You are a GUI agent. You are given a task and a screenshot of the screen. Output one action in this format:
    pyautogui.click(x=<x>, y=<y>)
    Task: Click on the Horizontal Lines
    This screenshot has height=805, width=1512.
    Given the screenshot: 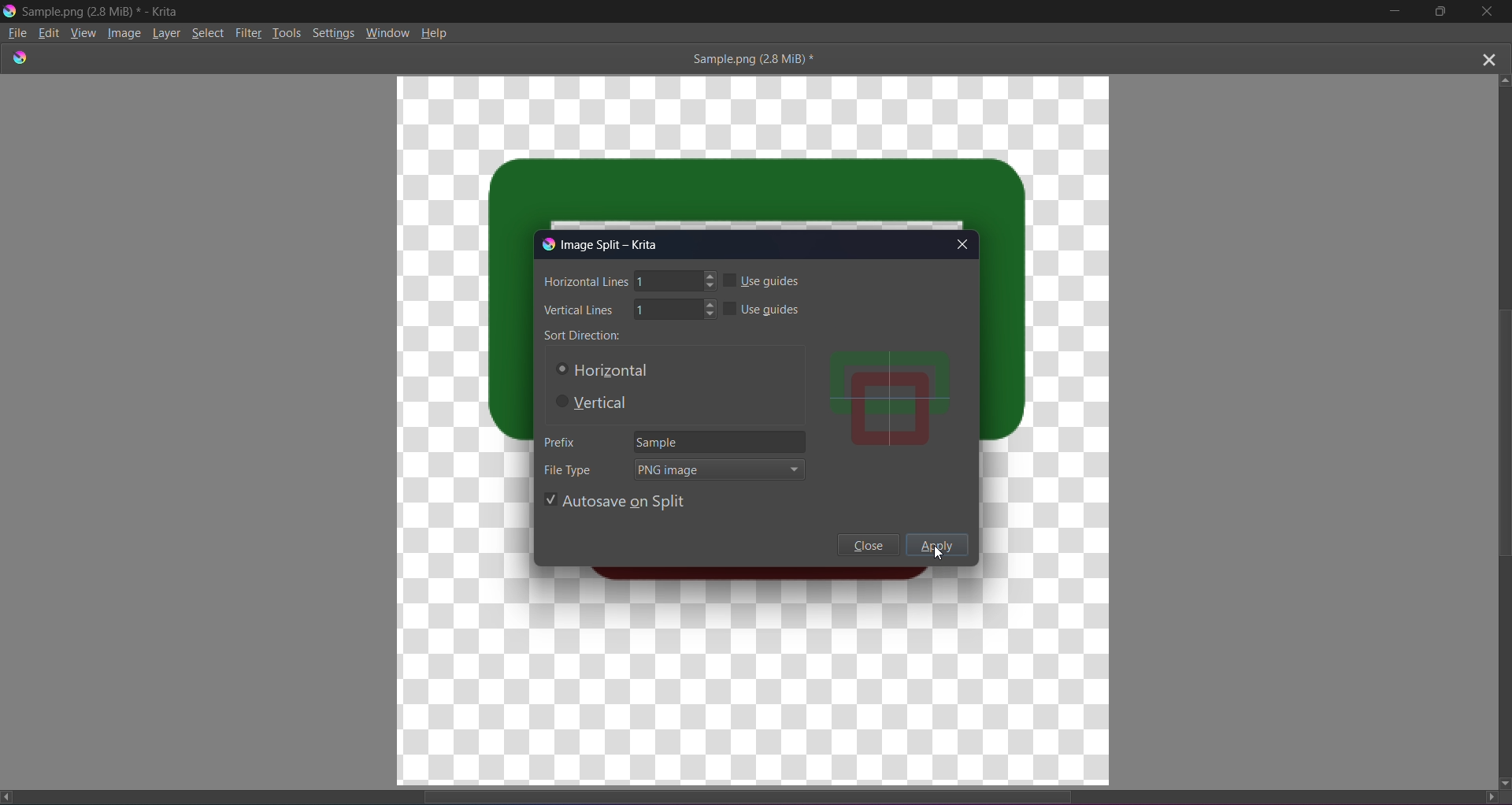 What is the action you would take?
    pyautogui.click(x=629, y=282)
    